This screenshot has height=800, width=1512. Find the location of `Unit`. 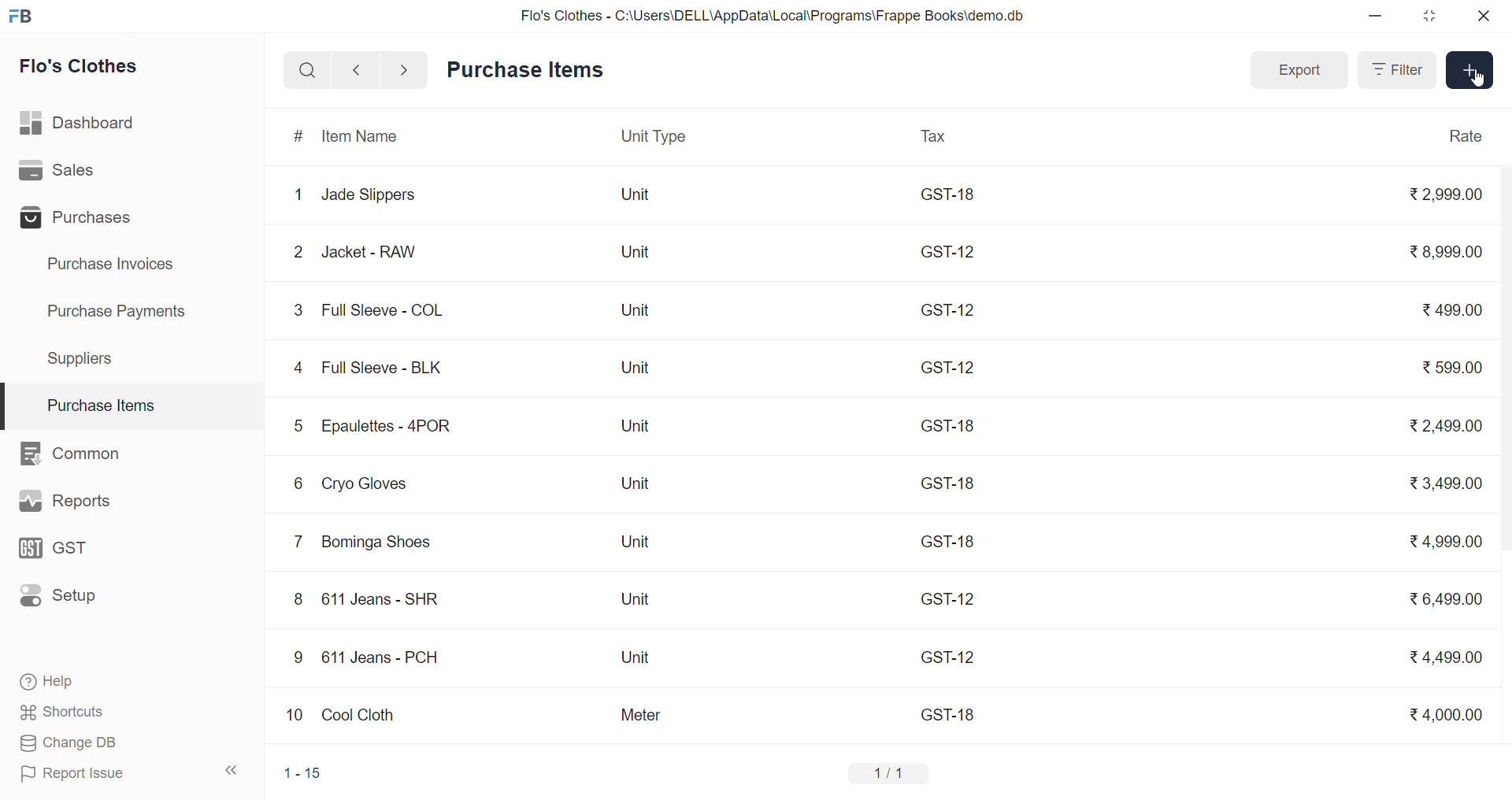

Unit is located at coordinates (635, 429).